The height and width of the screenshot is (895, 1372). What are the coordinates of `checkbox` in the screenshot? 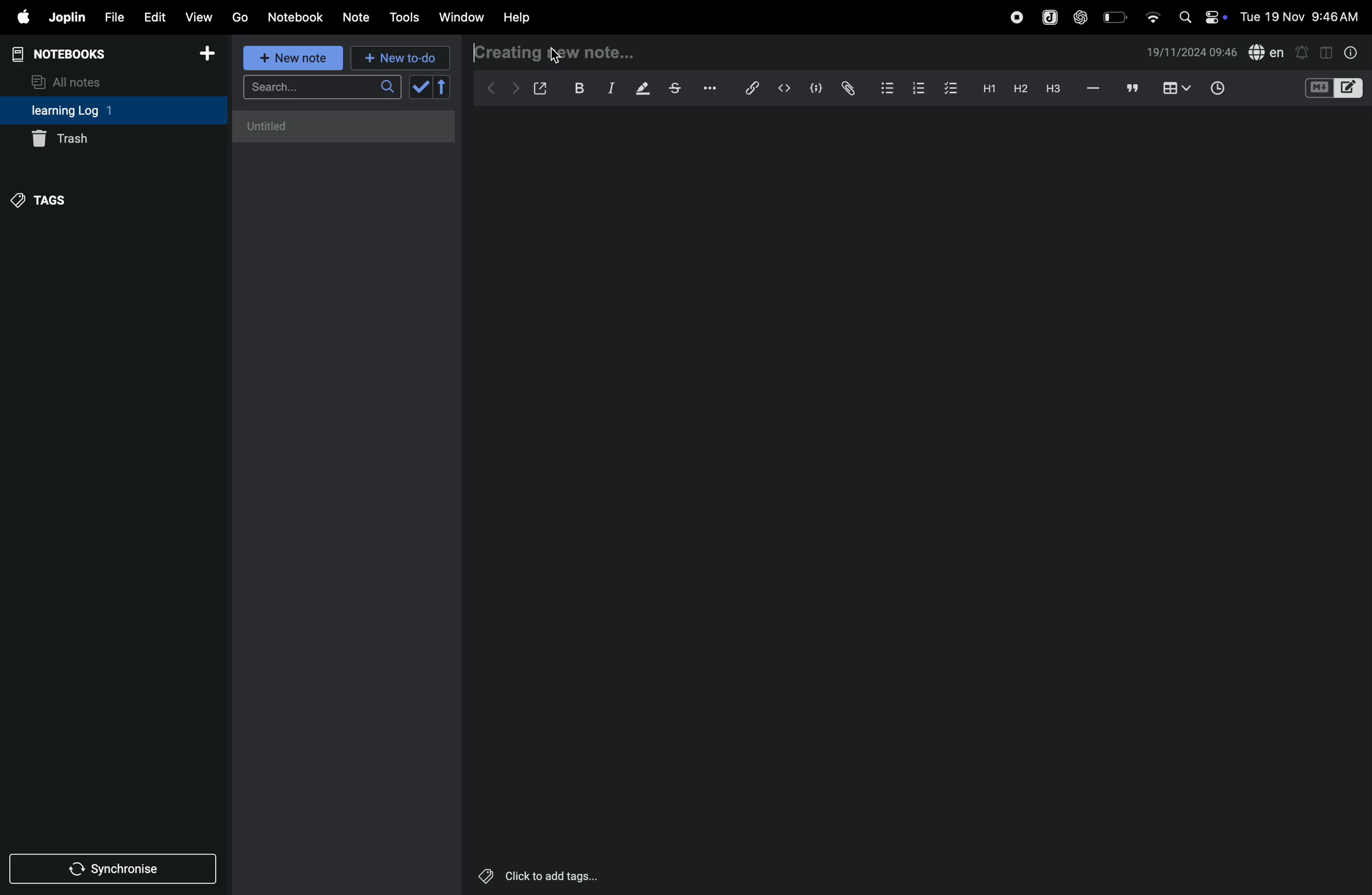 It's located at (949, 87).